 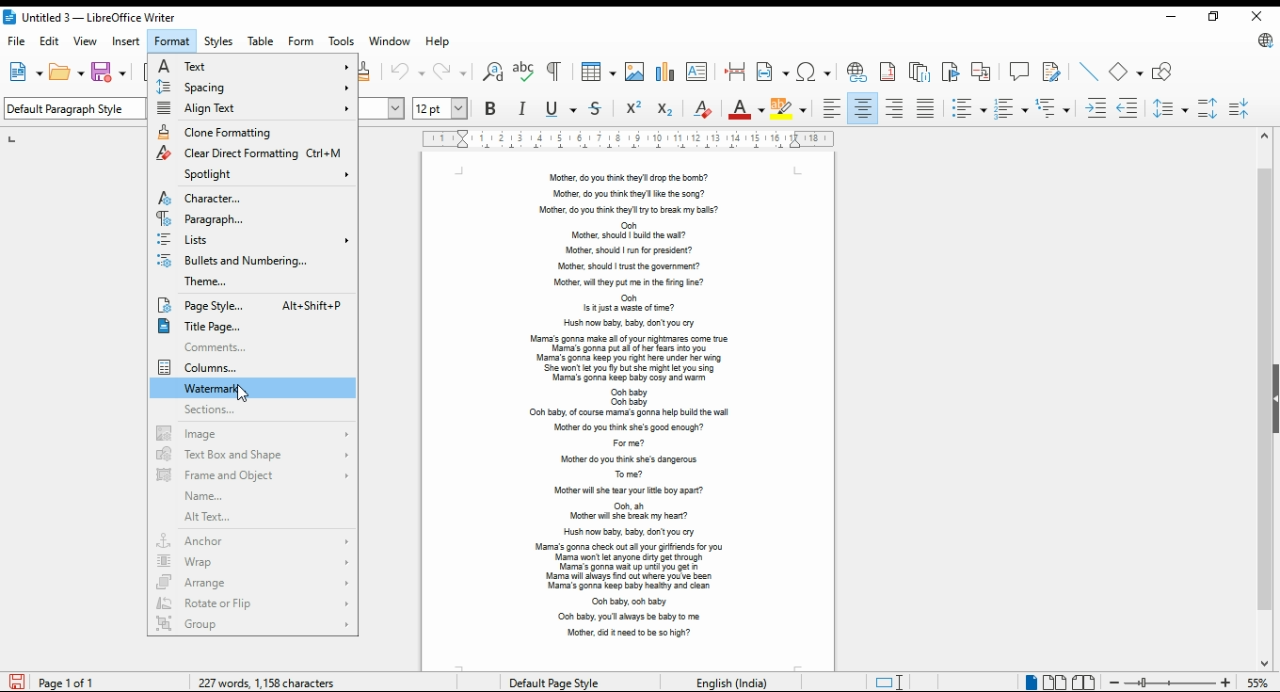 I want to click on insert text box, so click(x=698, y=71).